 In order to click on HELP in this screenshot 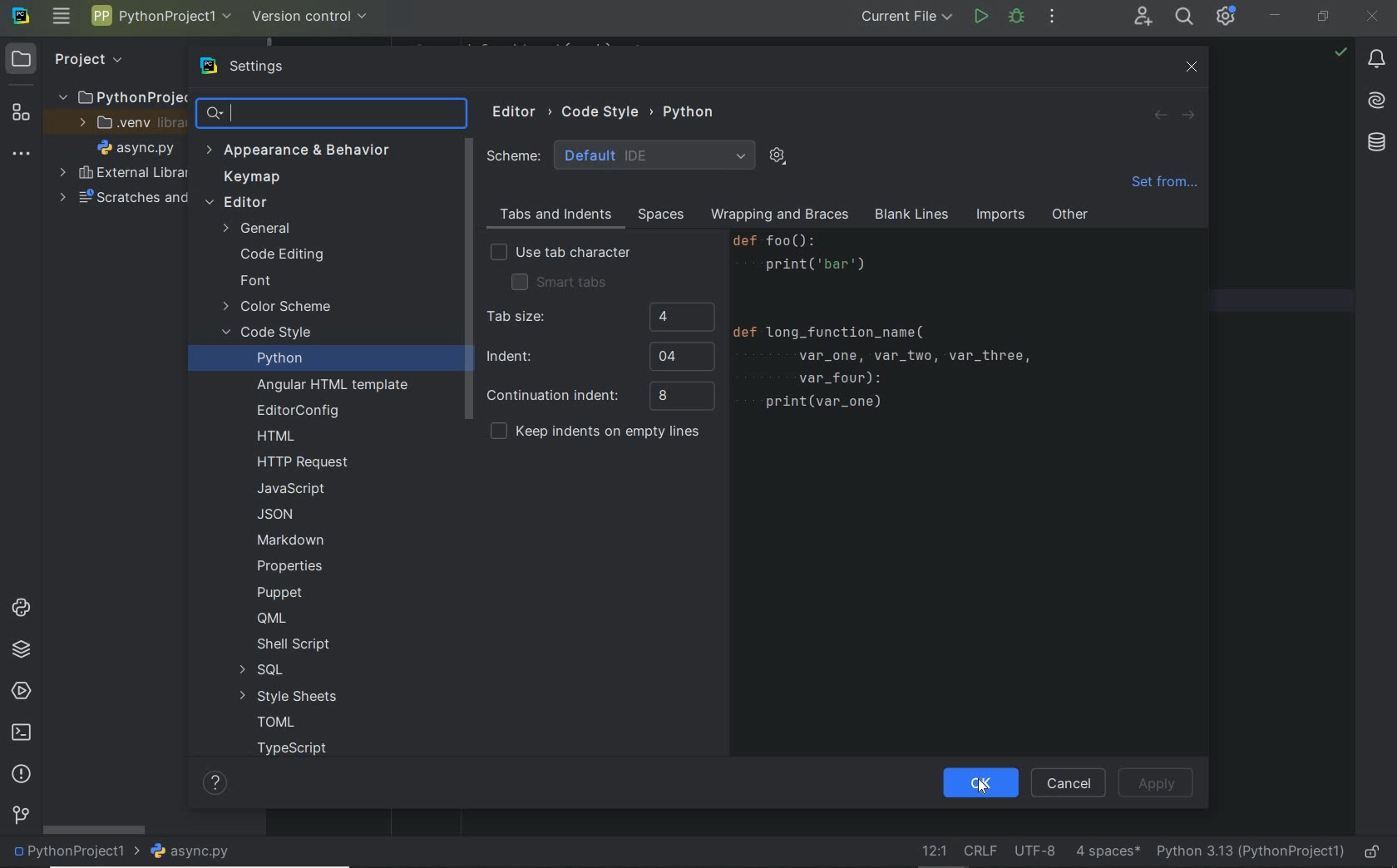, I will do `click(217, 782)`.